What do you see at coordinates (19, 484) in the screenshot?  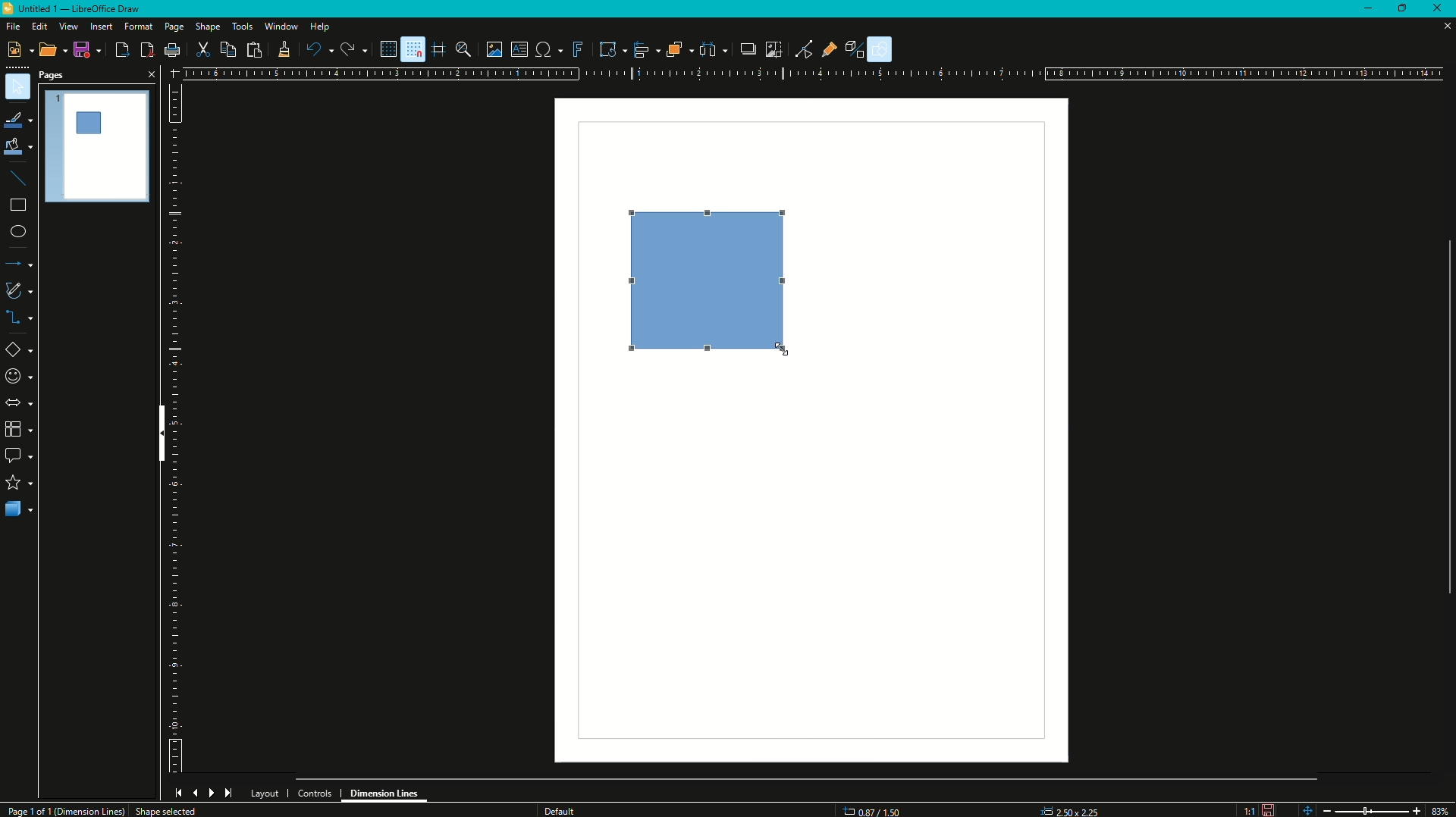 I see `Stars and Banners` at bounding box center [19, 484].